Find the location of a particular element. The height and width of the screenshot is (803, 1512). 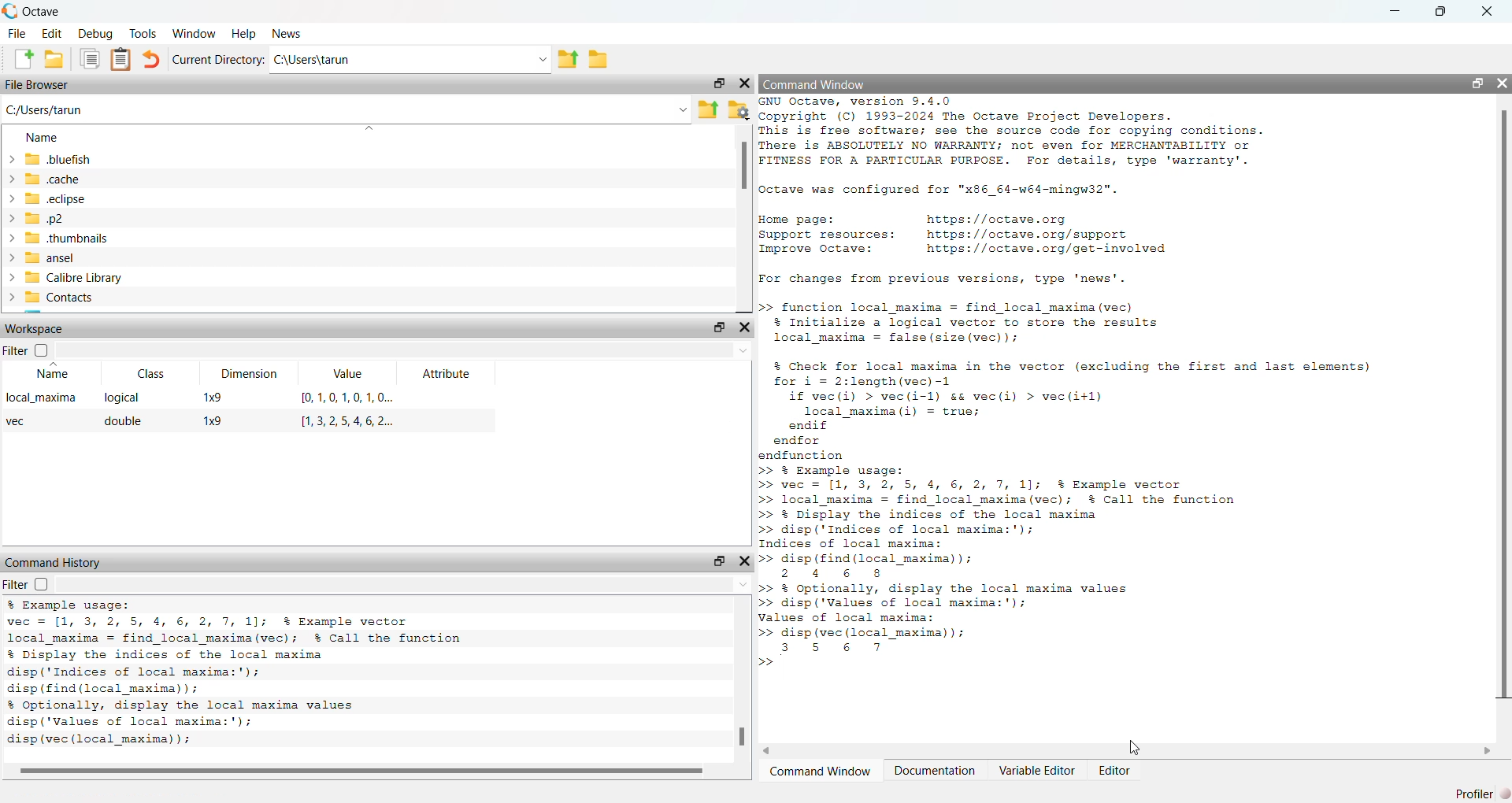

disp ('Number of heads:');

disp (num_heads) ;

disp ('Number of tails:');

disp (num_tails);

disp('Probability of heads:');

disp (prob_heads) ;

disp(' Probability of tails:');

disp (prob_tails);

# Octave 9.4.0, Wed Feb 26 15:58:32 2025 GMT <unknown@Richie_rich> is located at coordinates (265, 673).